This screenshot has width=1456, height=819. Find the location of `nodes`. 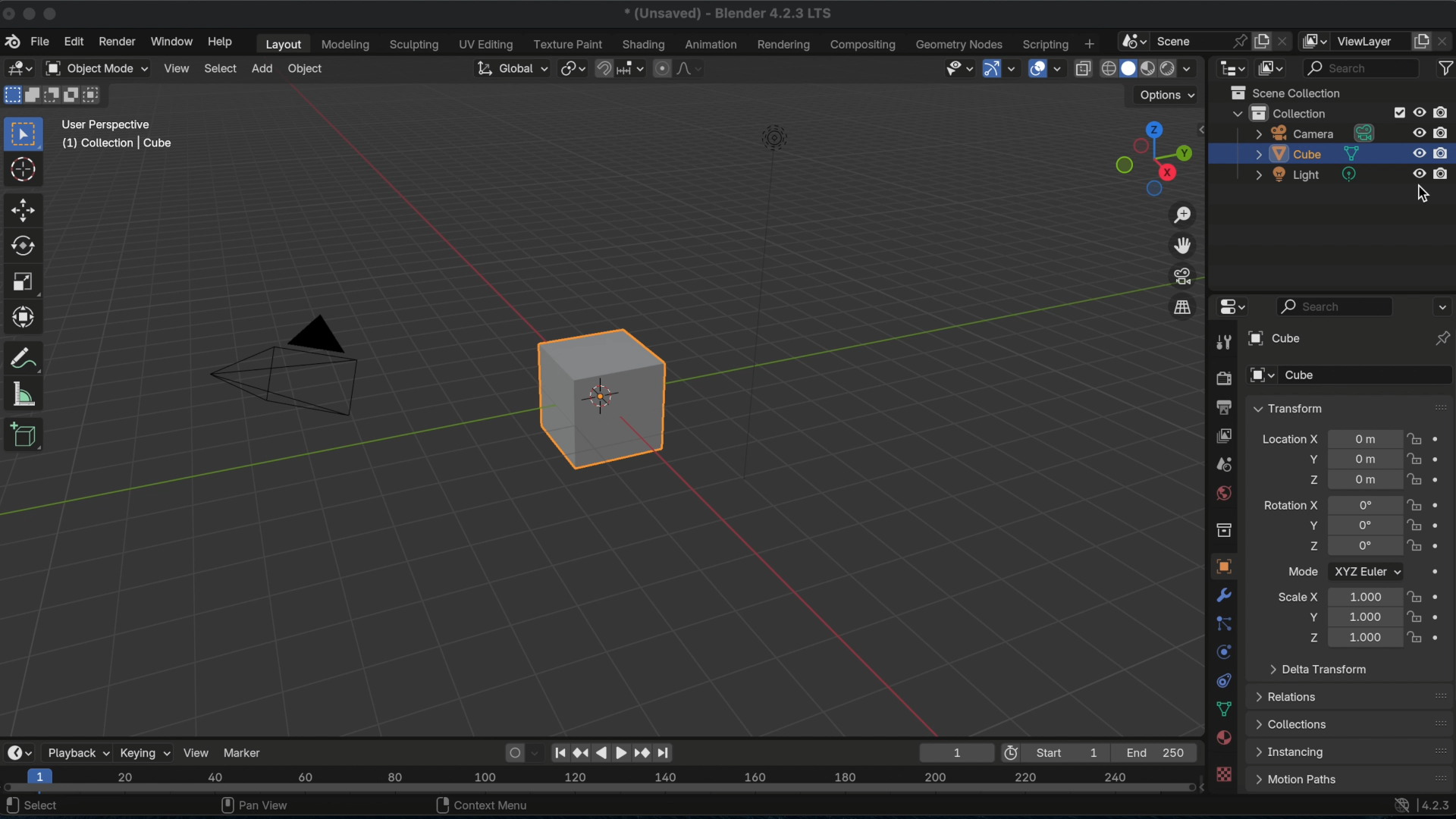

nodes is located at coordinates (990, 42).